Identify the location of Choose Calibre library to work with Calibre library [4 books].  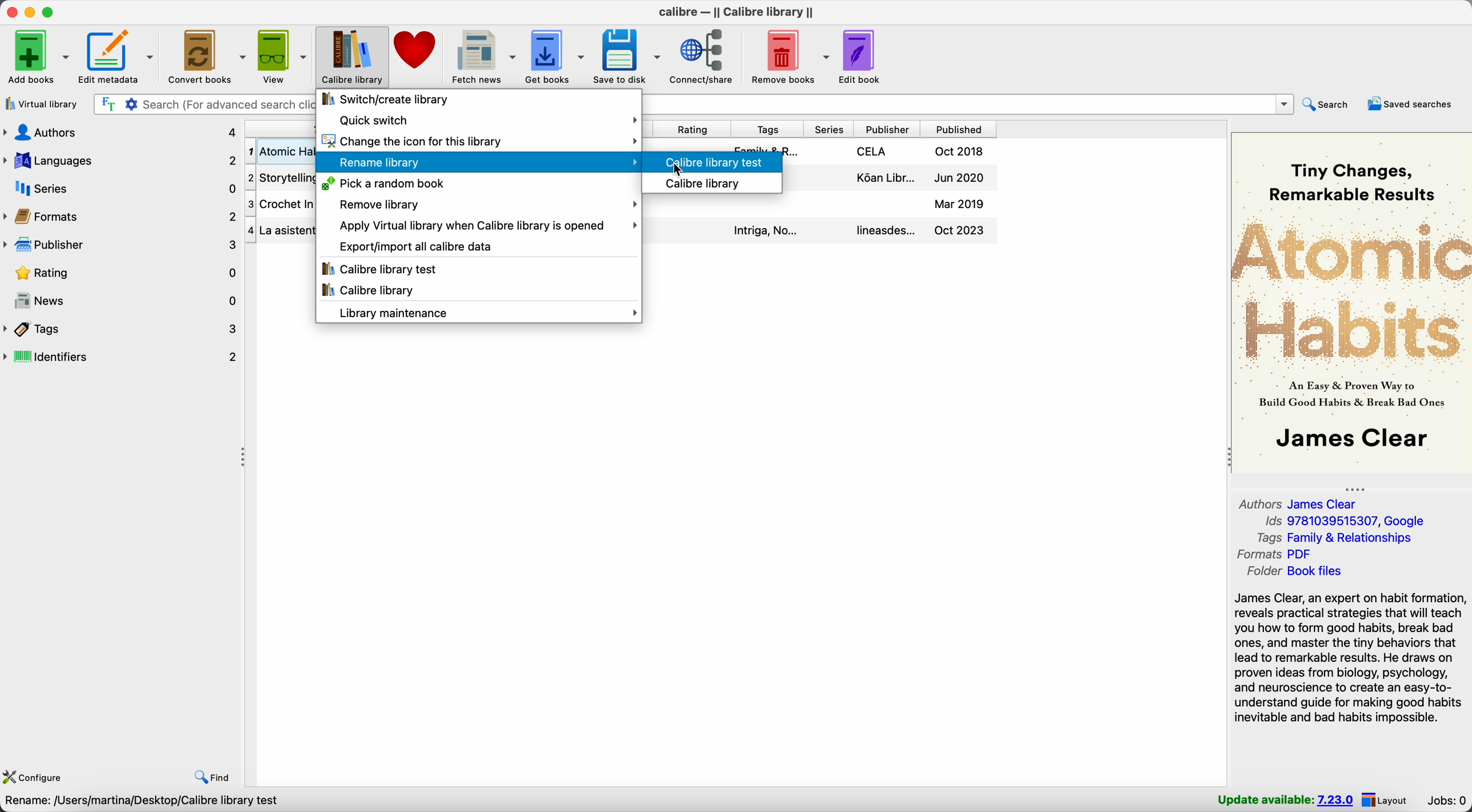
(167, 802).